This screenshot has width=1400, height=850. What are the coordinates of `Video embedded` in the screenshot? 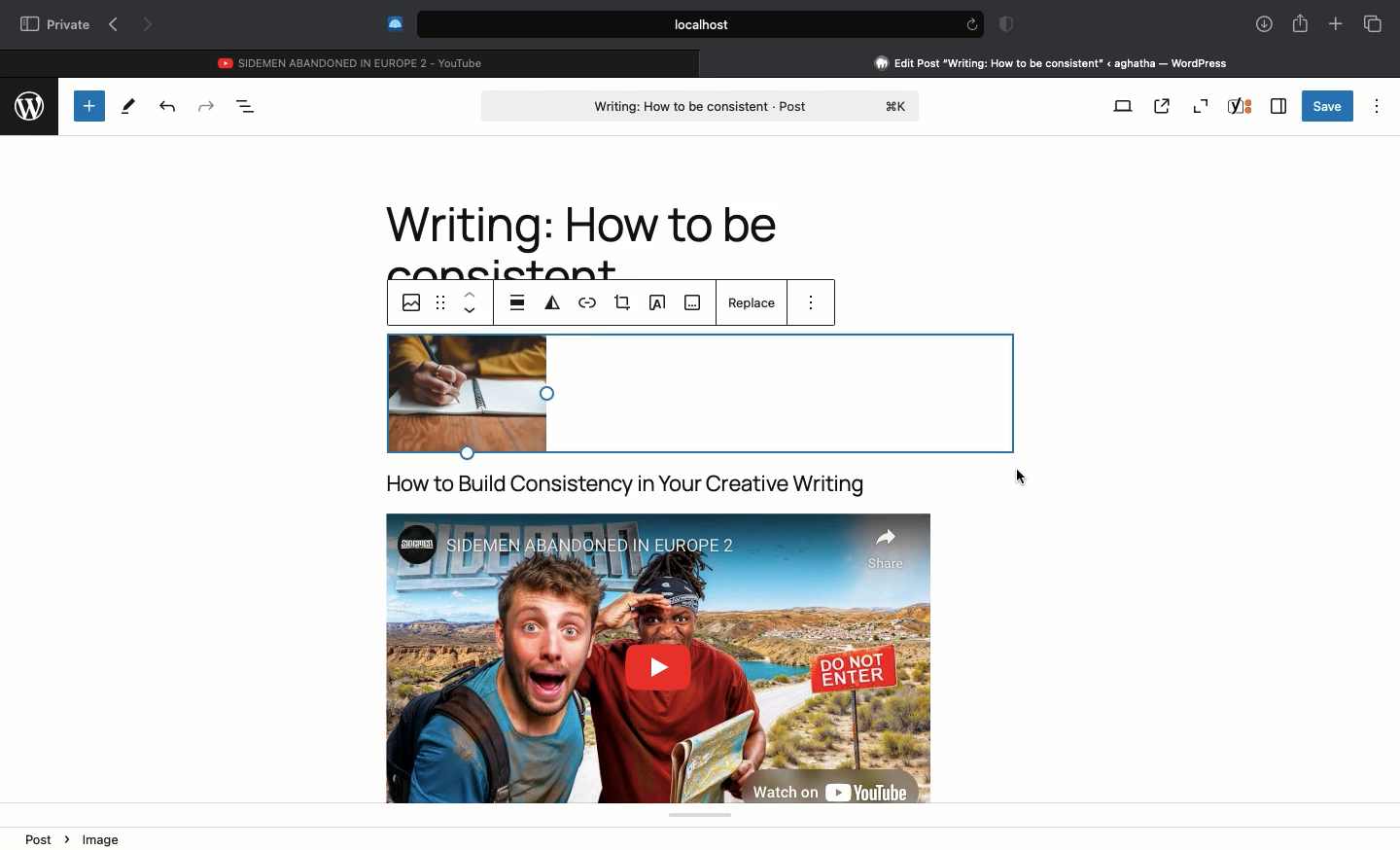 It's located at (655, 654).